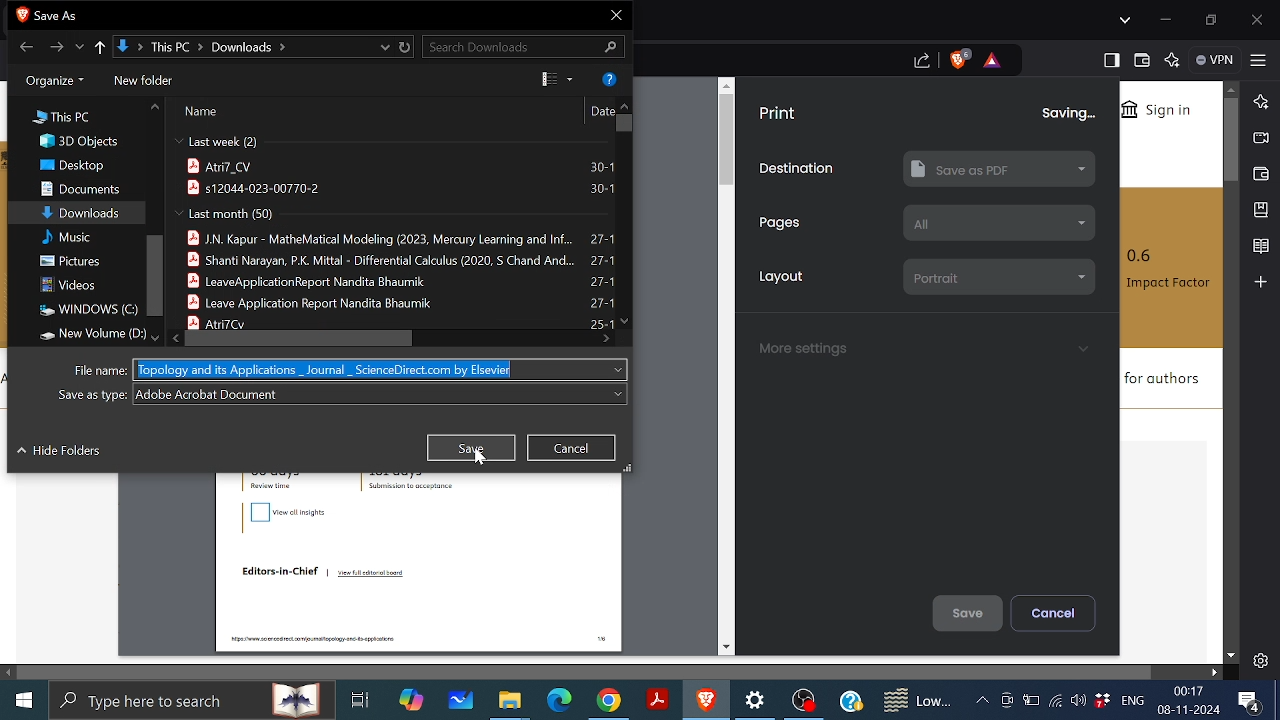  I want to click on 0.6 Impact Factor, so click(1173, 271).